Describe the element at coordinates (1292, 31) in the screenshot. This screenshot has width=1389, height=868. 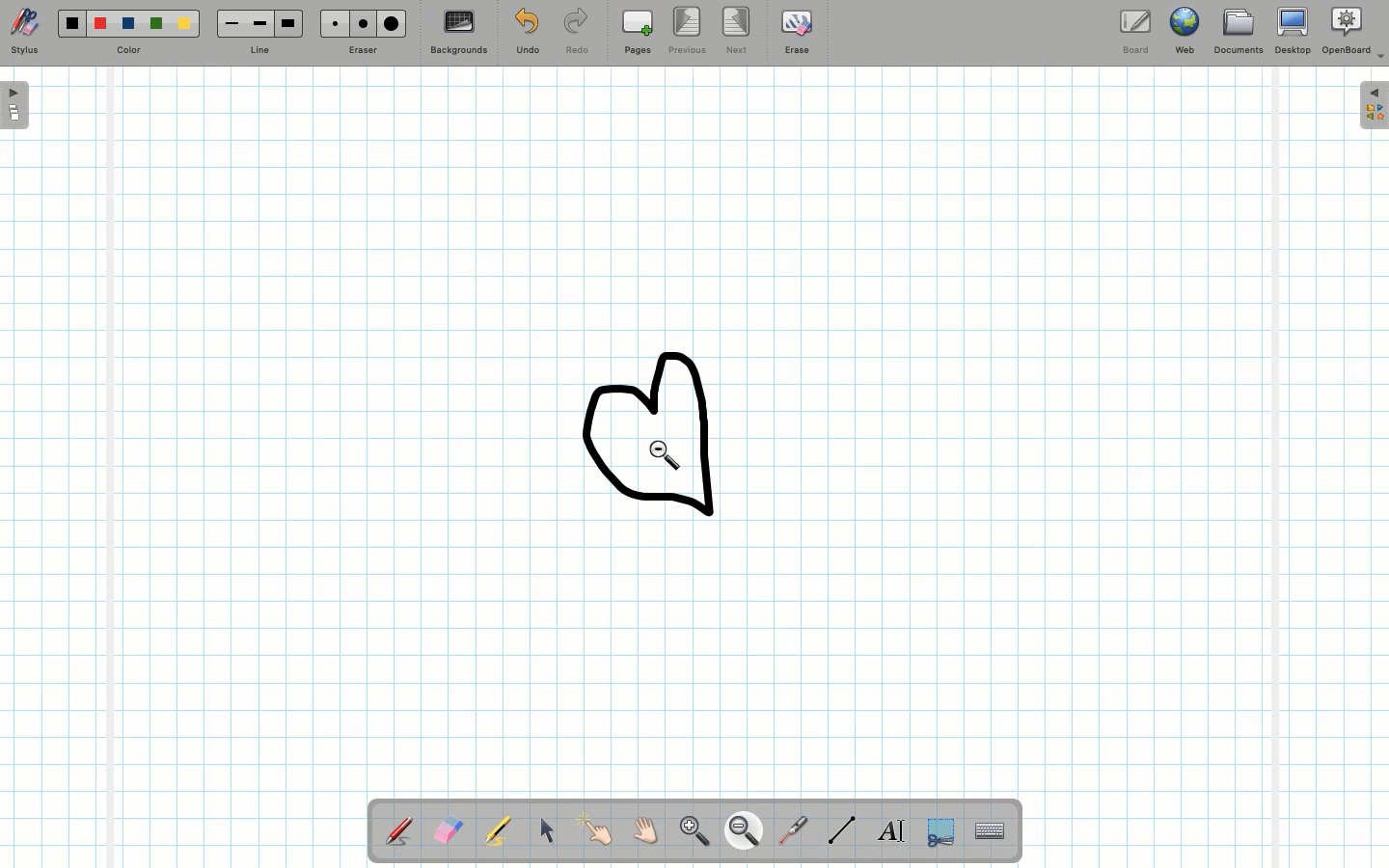
I see `Desktop` at that location.